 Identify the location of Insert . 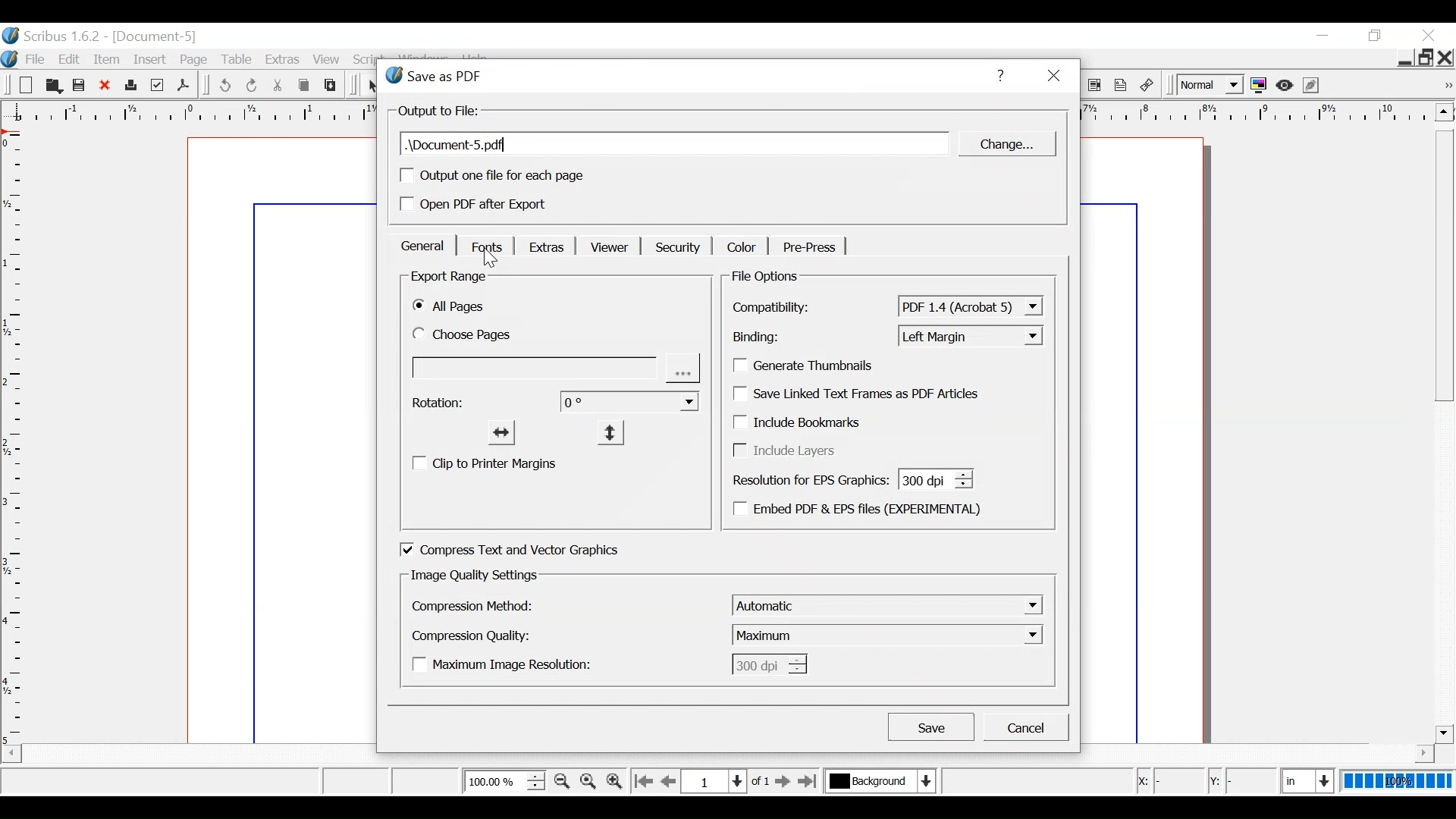
(152, 60).